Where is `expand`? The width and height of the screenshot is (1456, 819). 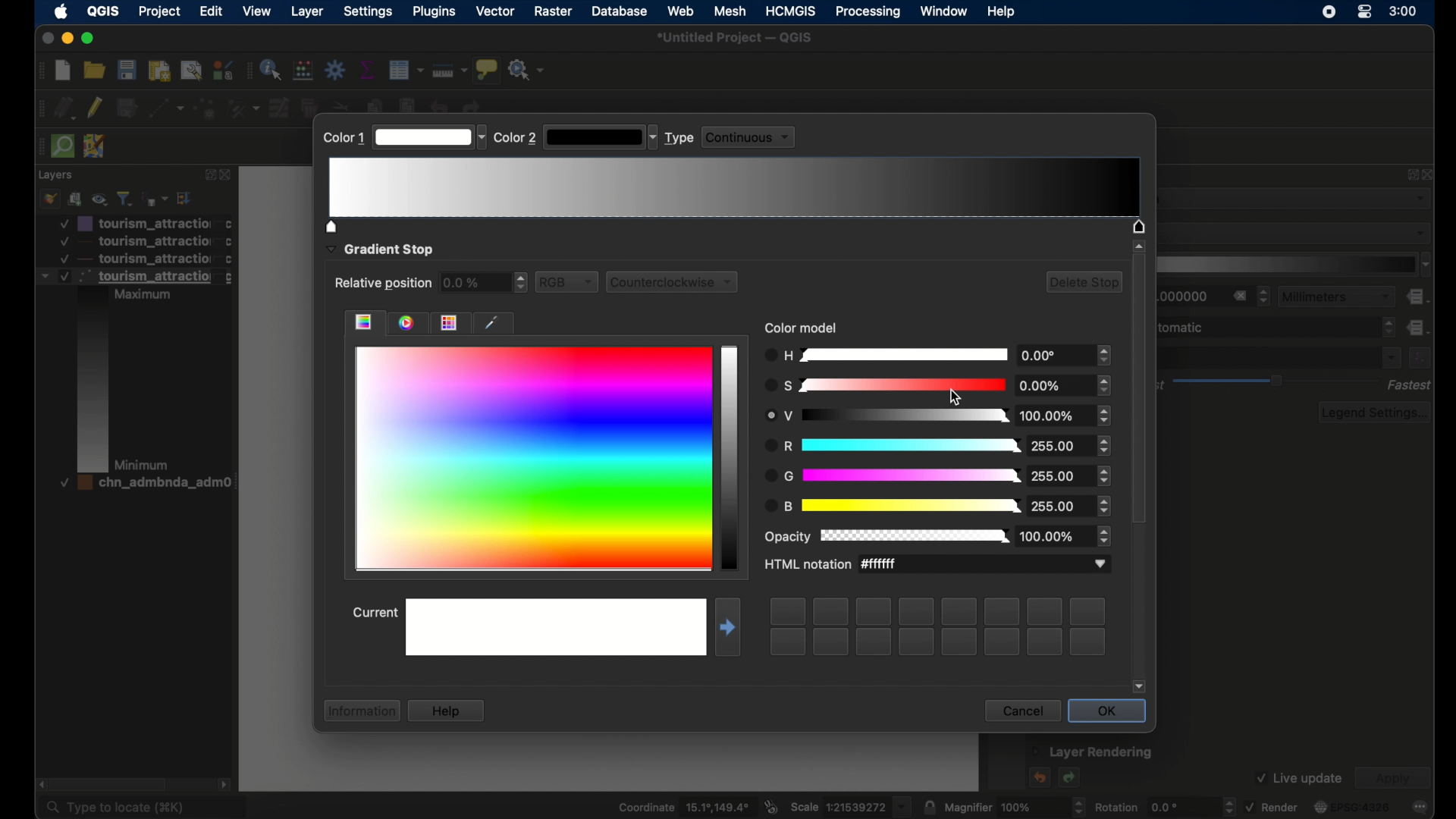
expand is located at coordinates (207, 175).